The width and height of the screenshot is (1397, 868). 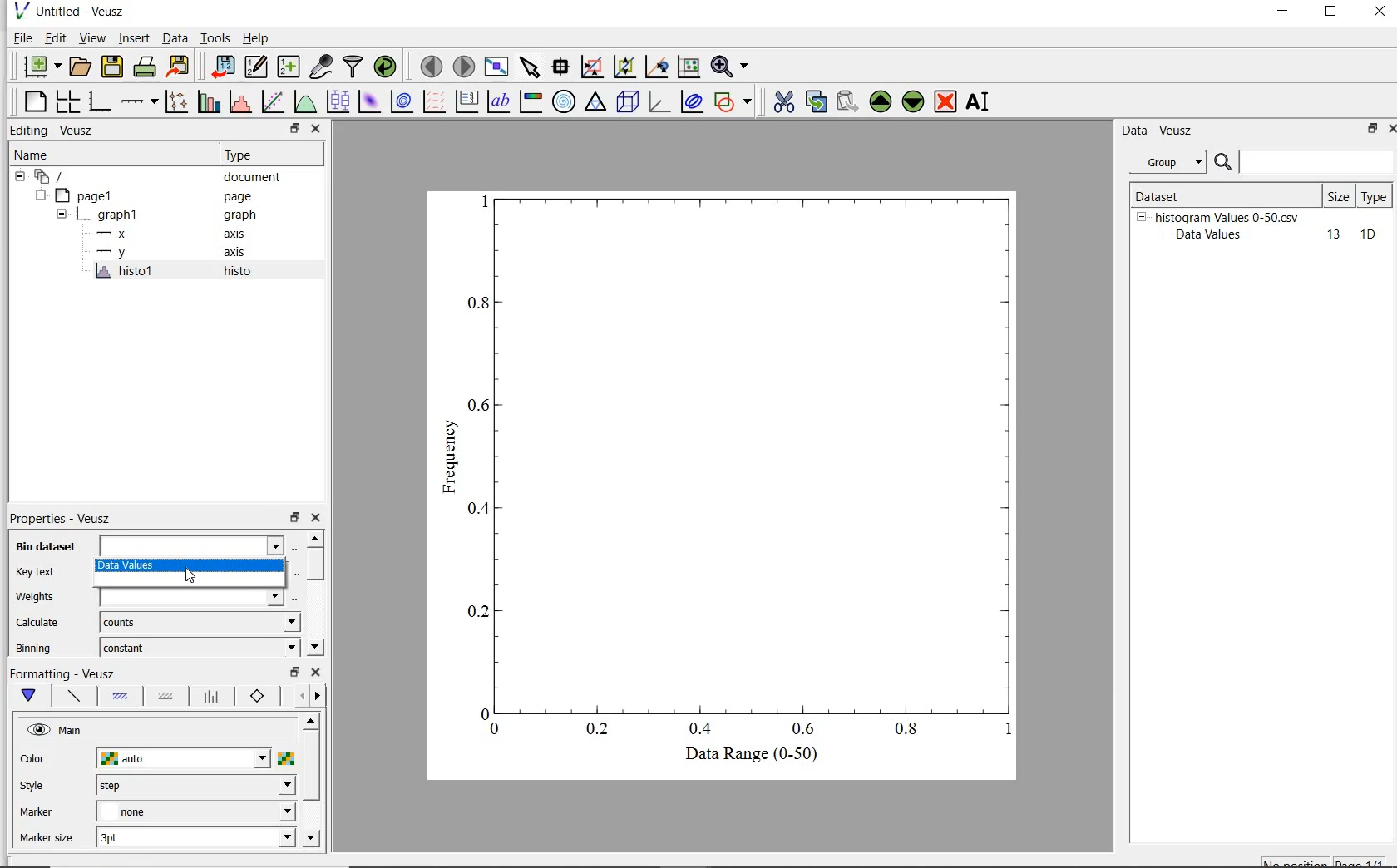 What do you see at coordinates (1367, 130) in the screenshot?
I see `restore down` at bounding box center [1367, 130].